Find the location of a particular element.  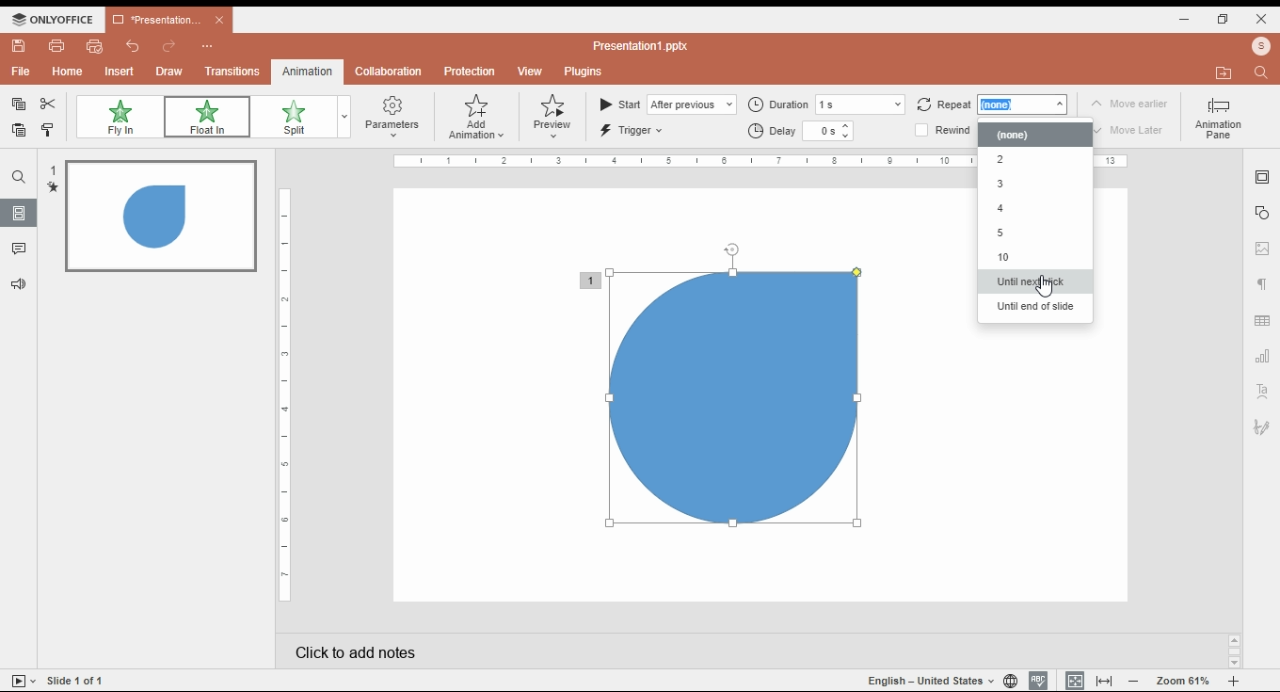

quick print is located at coordinates (96, 46).